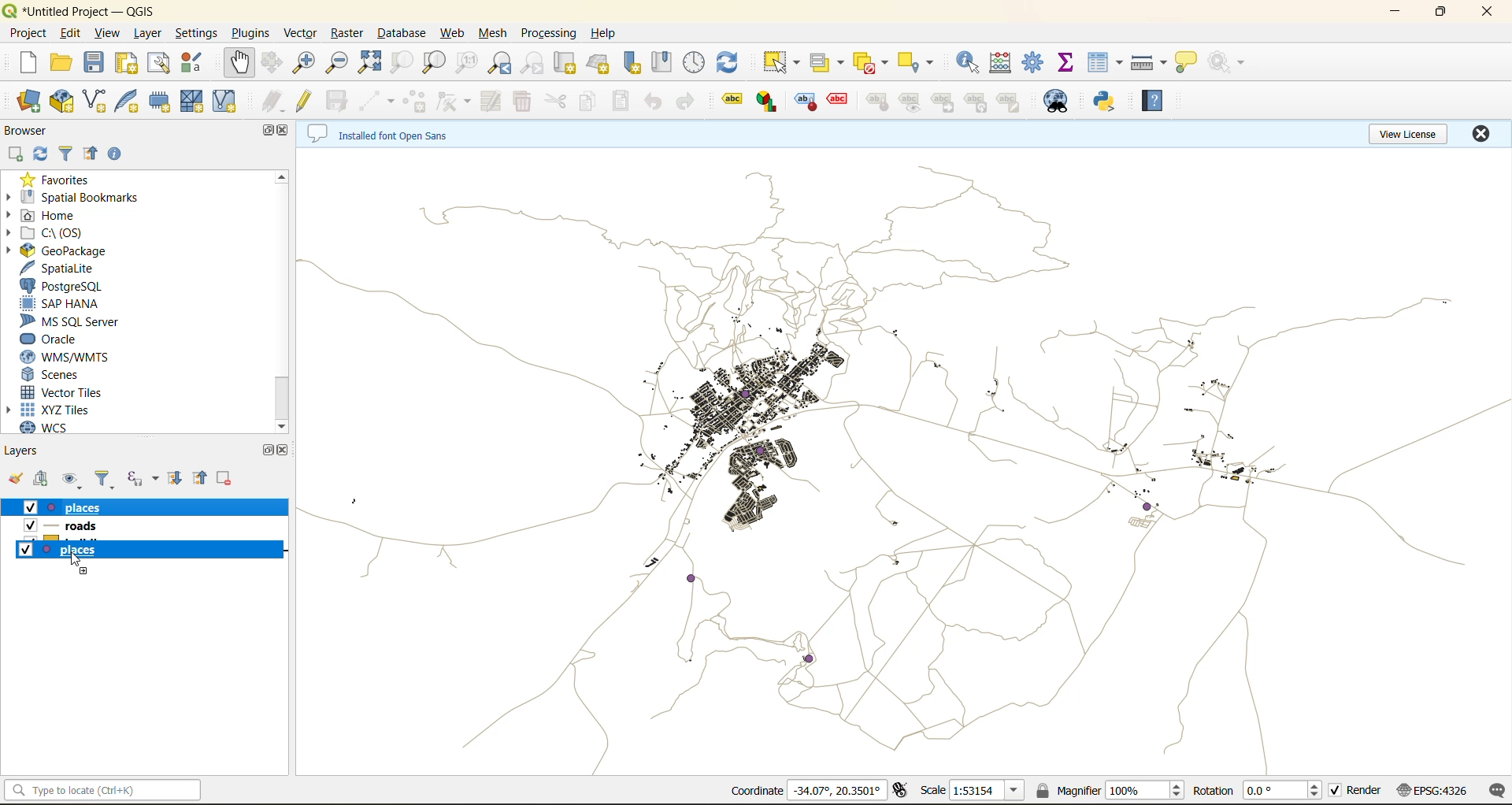 The height and width of the screenshot is (805, 1512). I want to click on log messages, so click(1492, 792).